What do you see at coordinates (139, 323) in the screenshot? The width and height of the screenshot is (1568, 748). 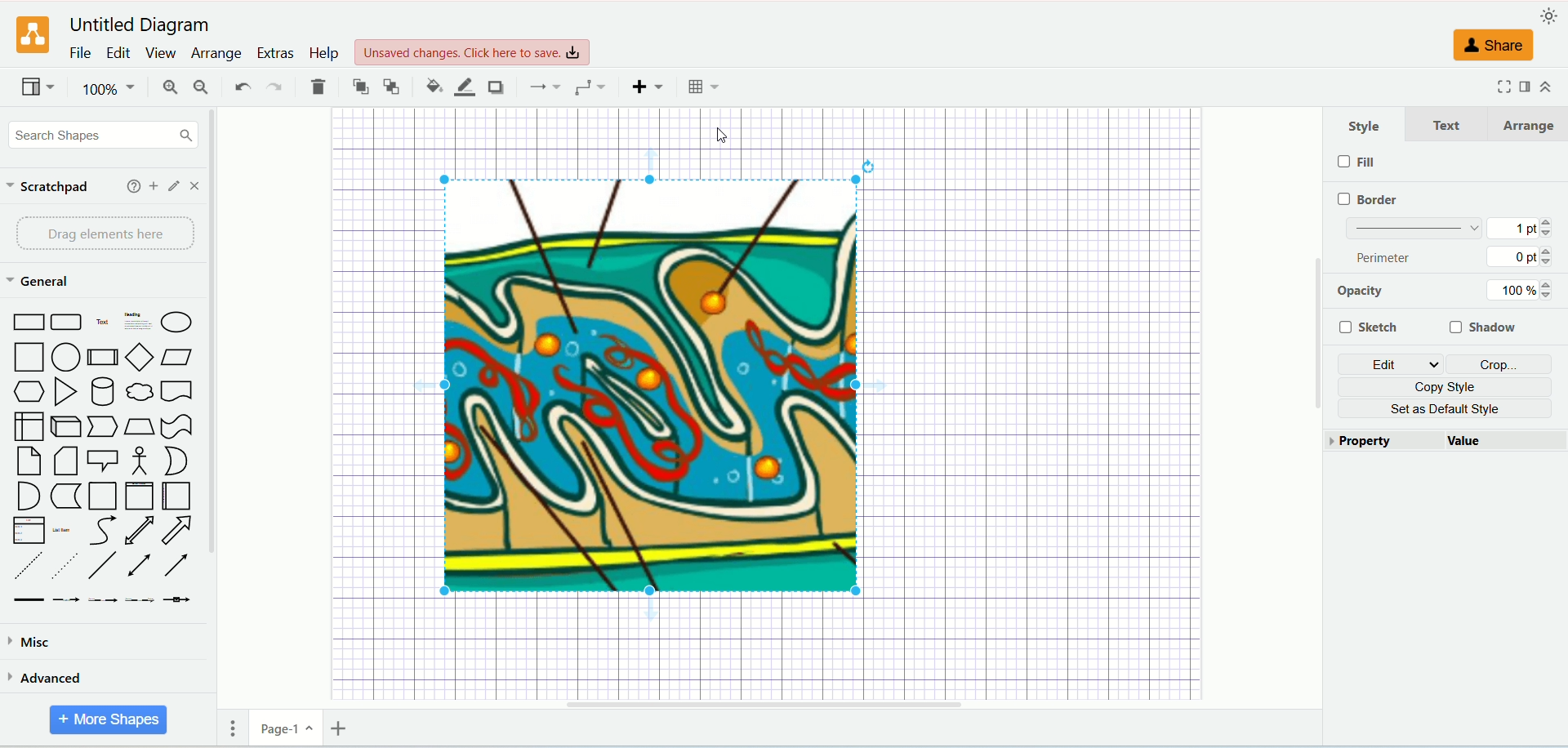 I see `Heading with Text` at bounding box center [139, 323].